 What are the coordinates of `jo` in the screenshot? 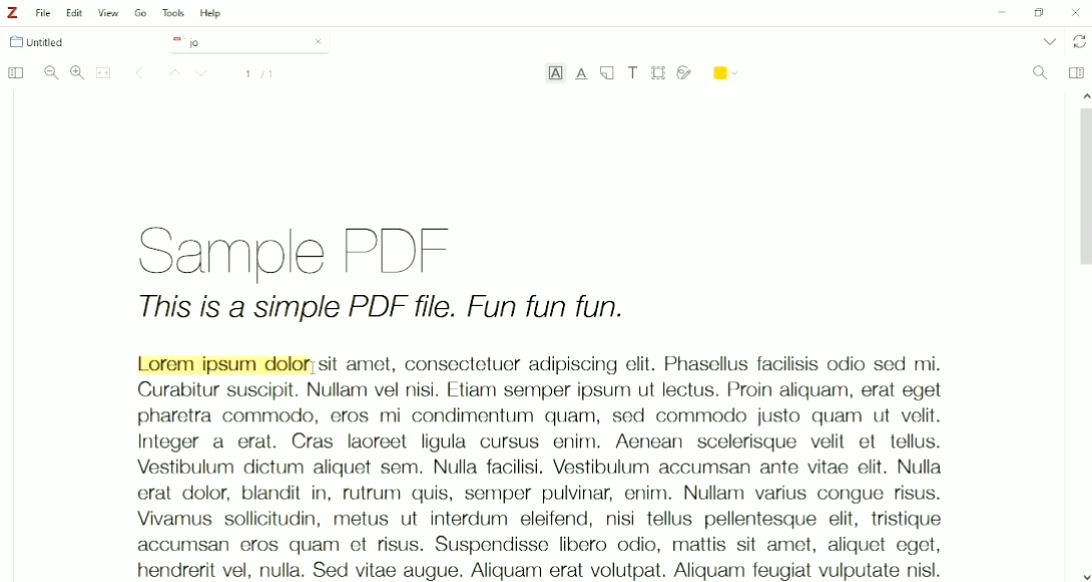 It's located at (234, 43).